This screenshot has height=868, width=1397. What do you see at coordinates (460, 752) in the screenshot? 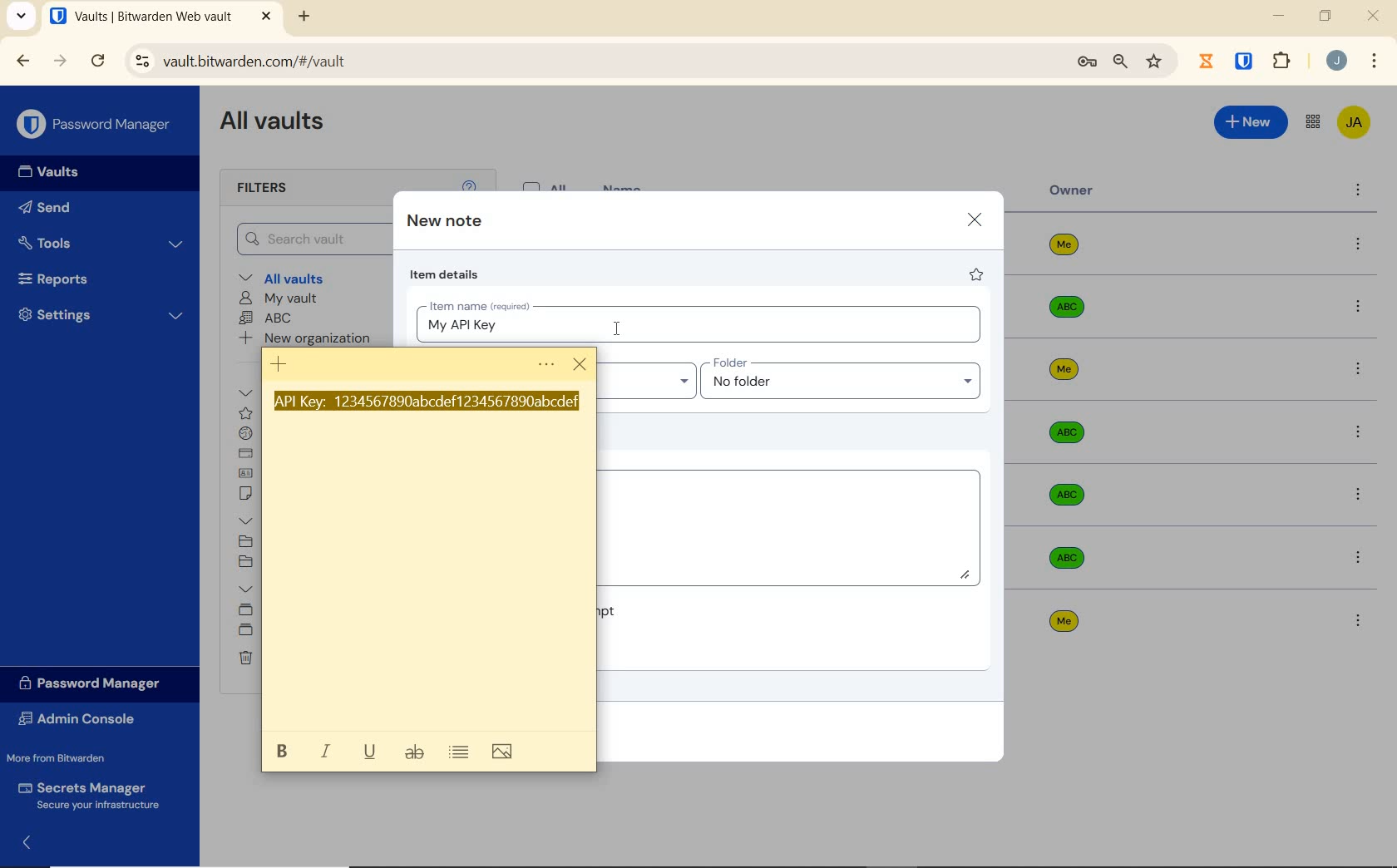
I see `toggle bullets` at bounding box center [460, 752].